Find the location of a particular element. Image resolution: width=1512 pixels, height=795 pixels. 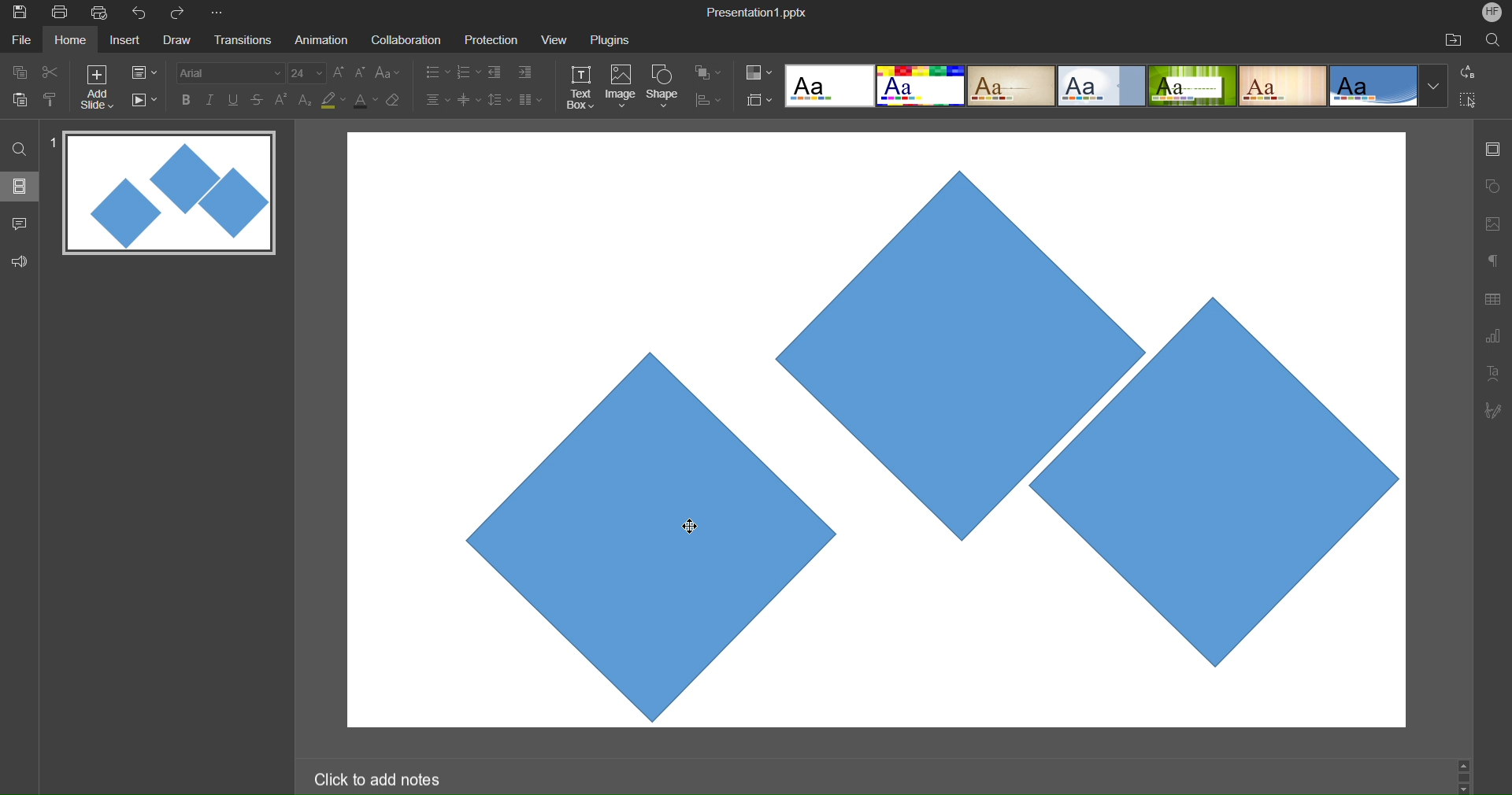

Unaligned Shapes is located at coordinates (875, 433).